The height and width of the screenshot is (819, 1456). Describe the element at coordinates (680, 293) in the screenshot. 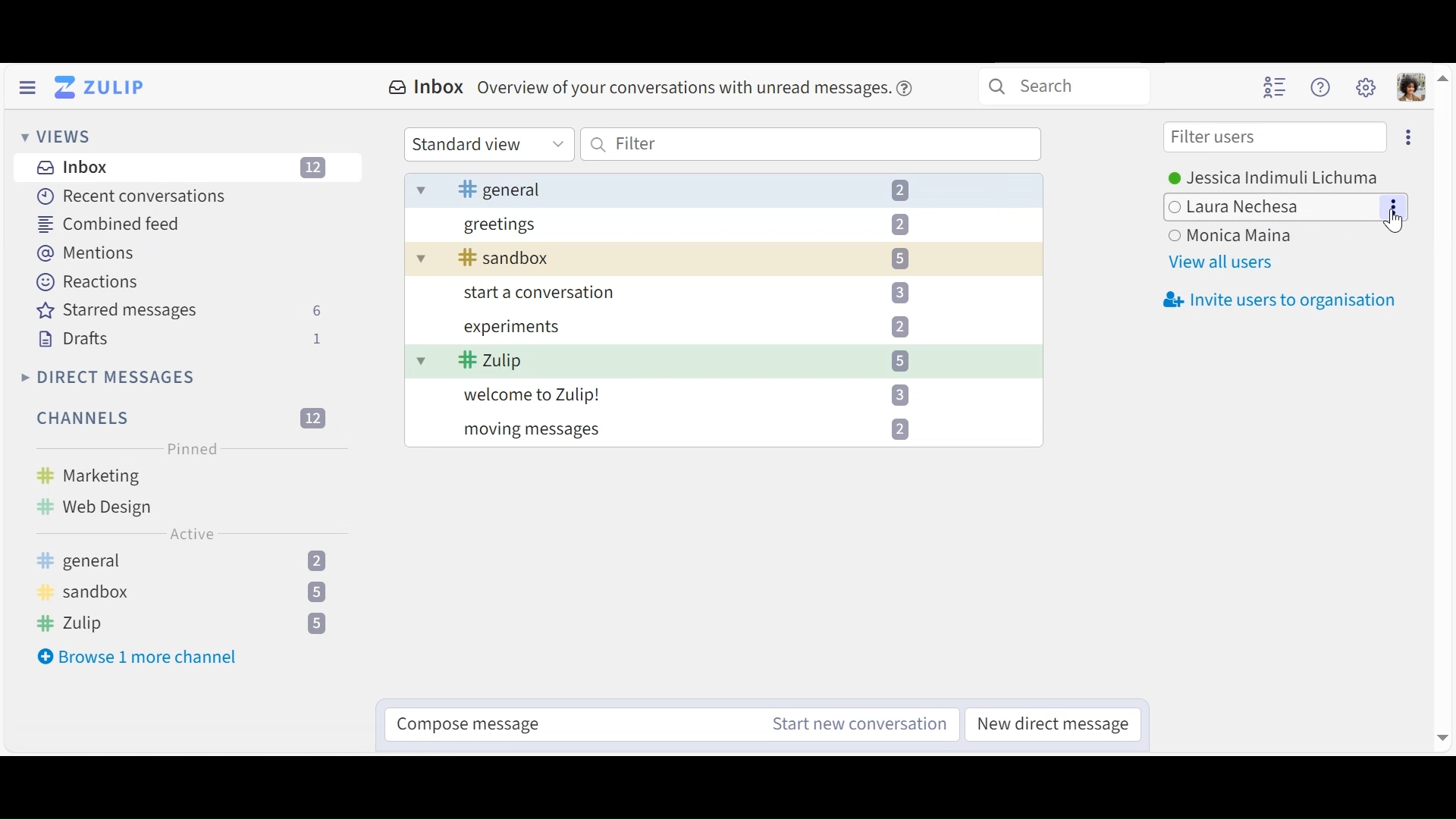

I see `start a conversation` at that location.